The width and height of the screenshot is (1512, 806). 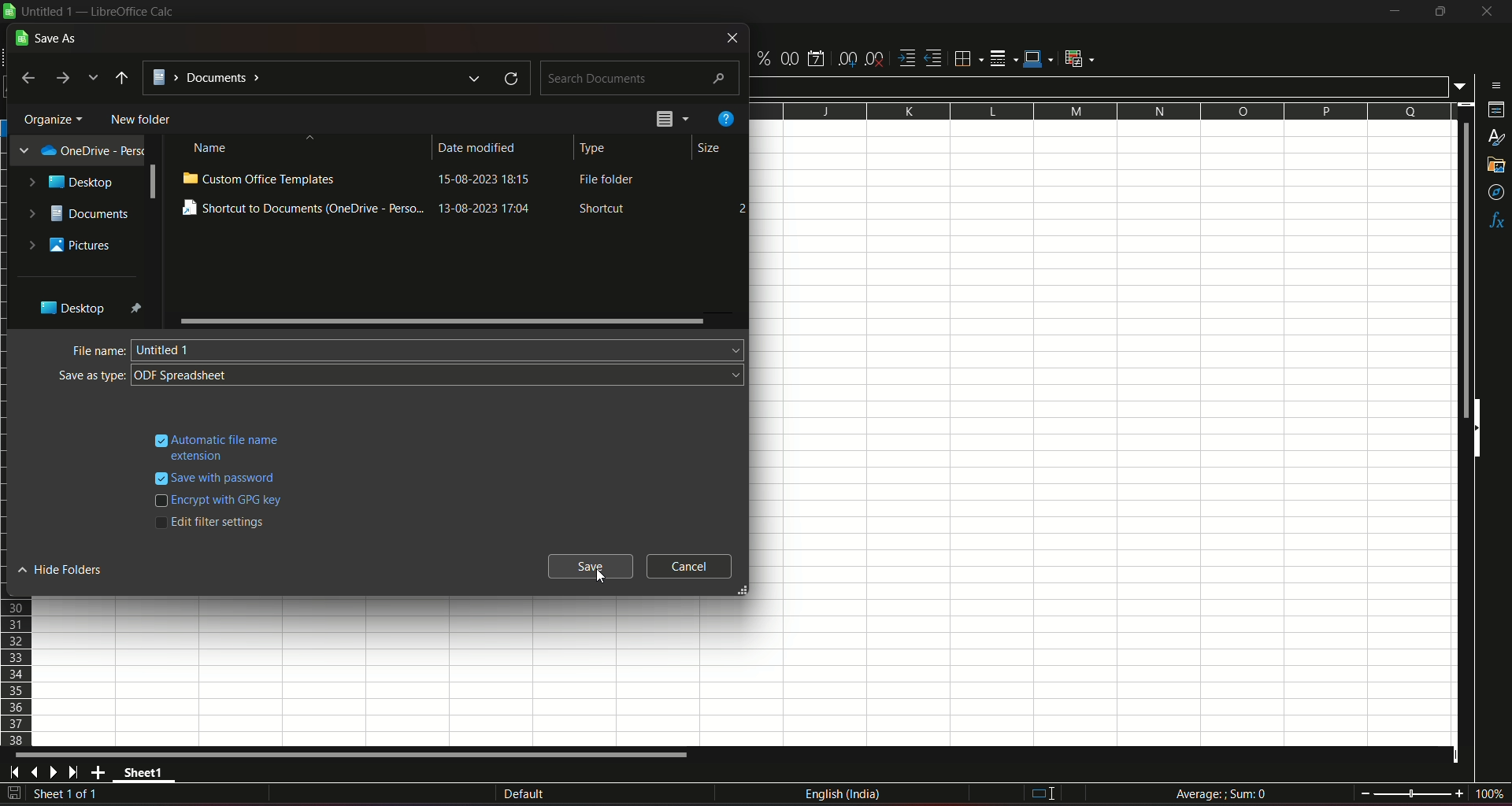 I want to click on date modified, so click(x=479, y=149).